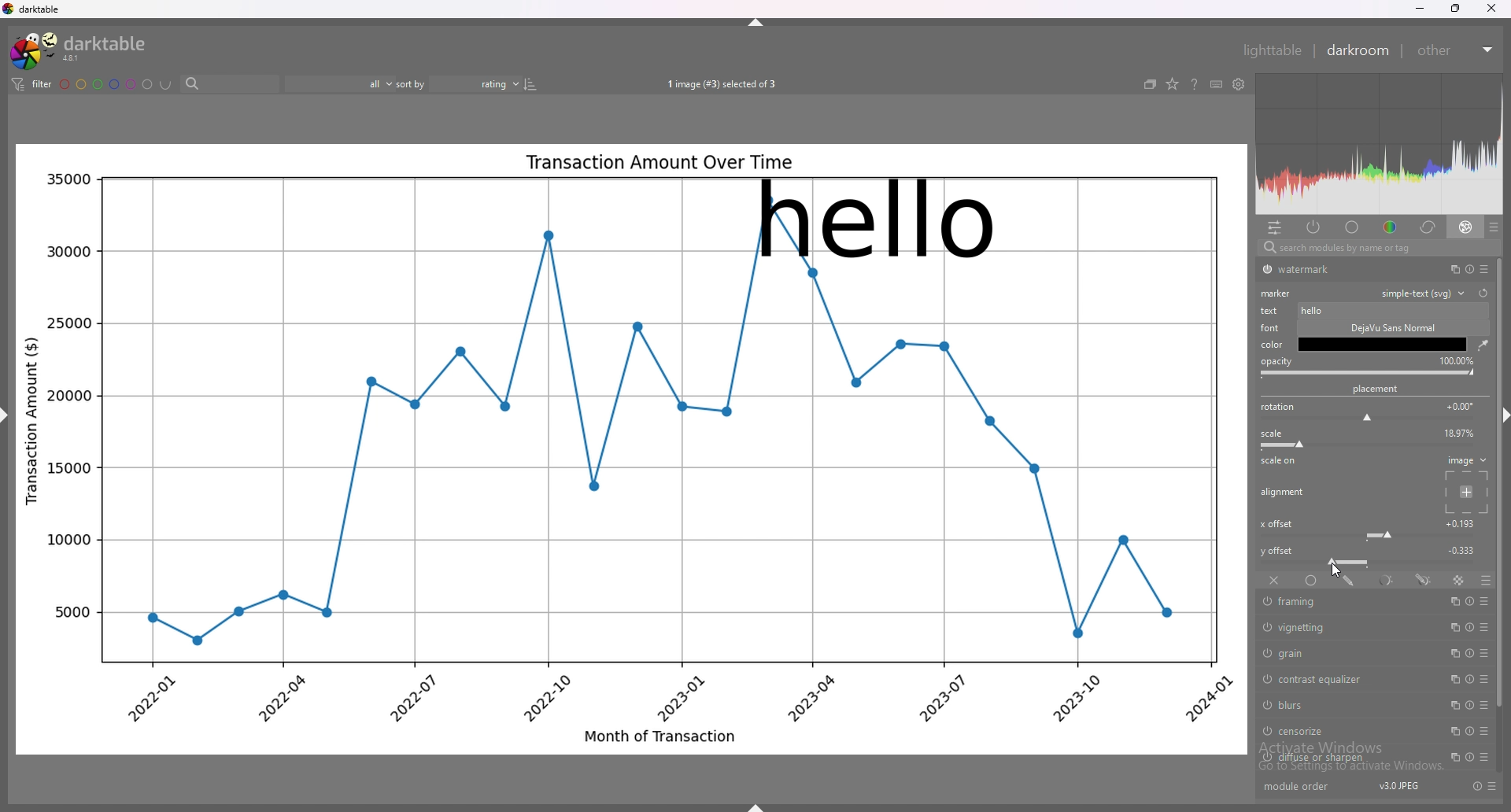 The width and height of the screenshot is (1511, 812). I want to click on y offset, so click(1279, 551).